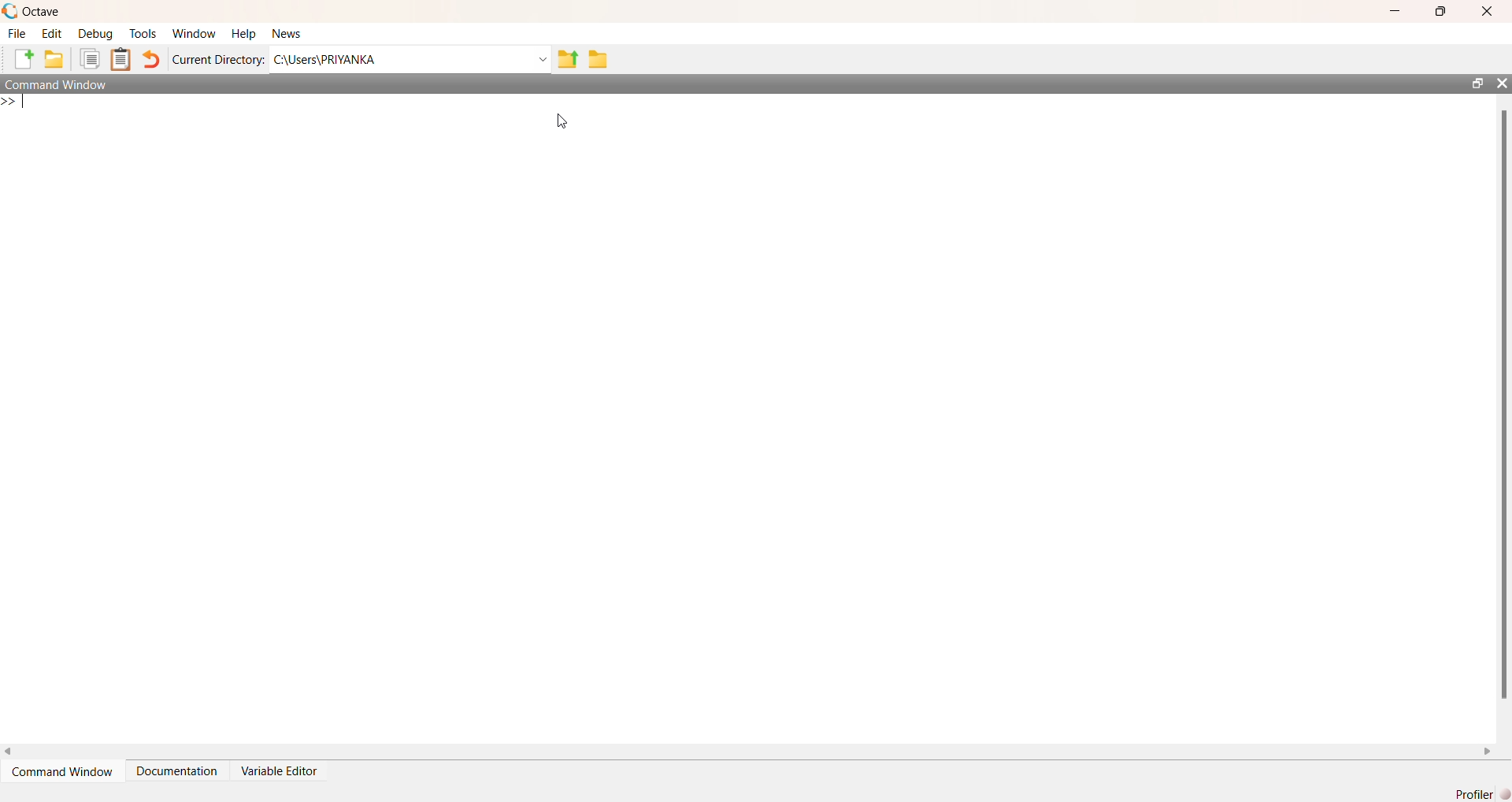  What do you see at coordinates (566, 59) in the screenshot?
I see `one directory up` at bounding box center [566, 59].